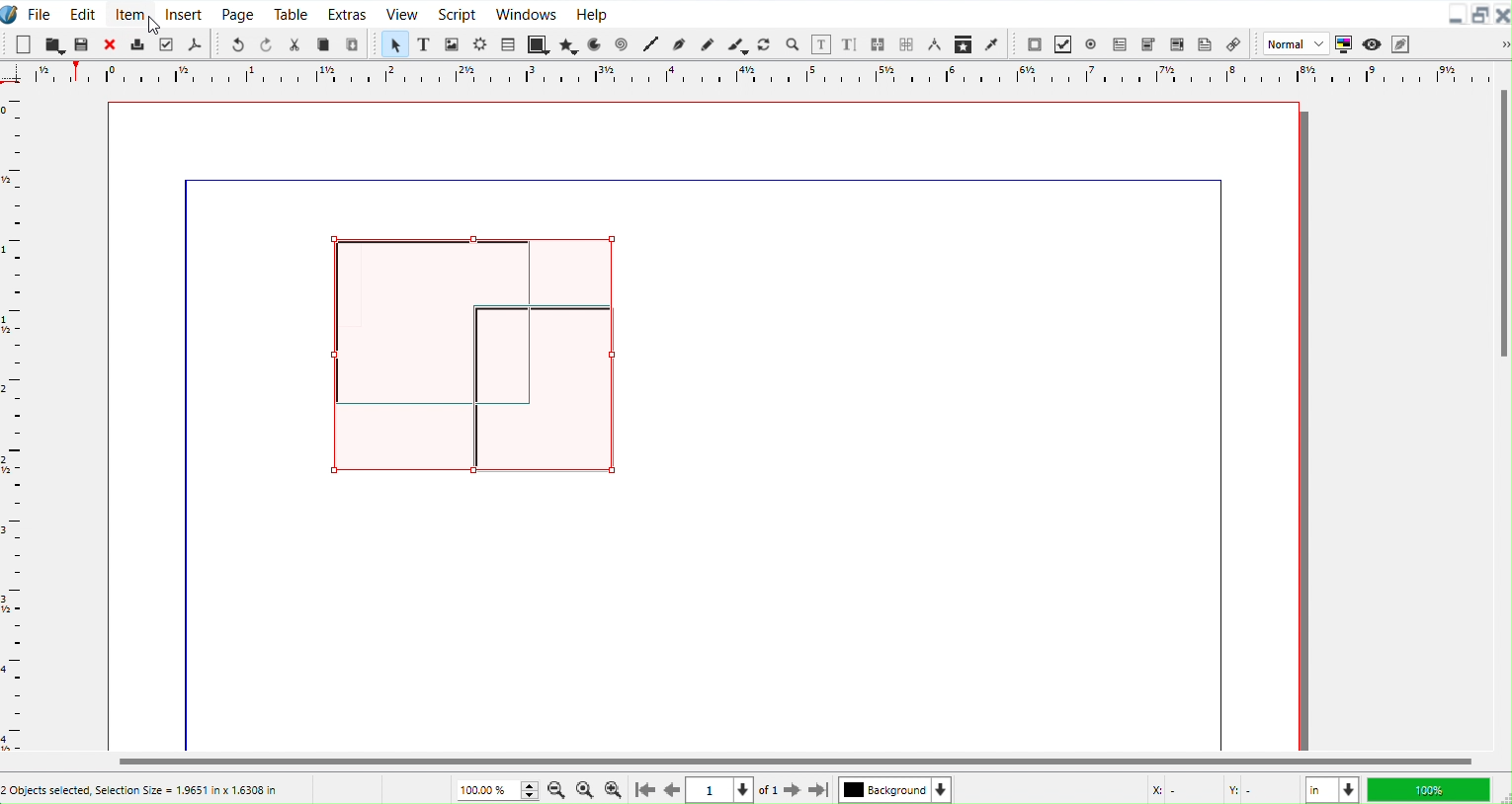 This screenshot has width=1512, height=804. Describe the element at coordinates (1400, 42) in the screenshot. I see `Edit in Preview mode` at that location.